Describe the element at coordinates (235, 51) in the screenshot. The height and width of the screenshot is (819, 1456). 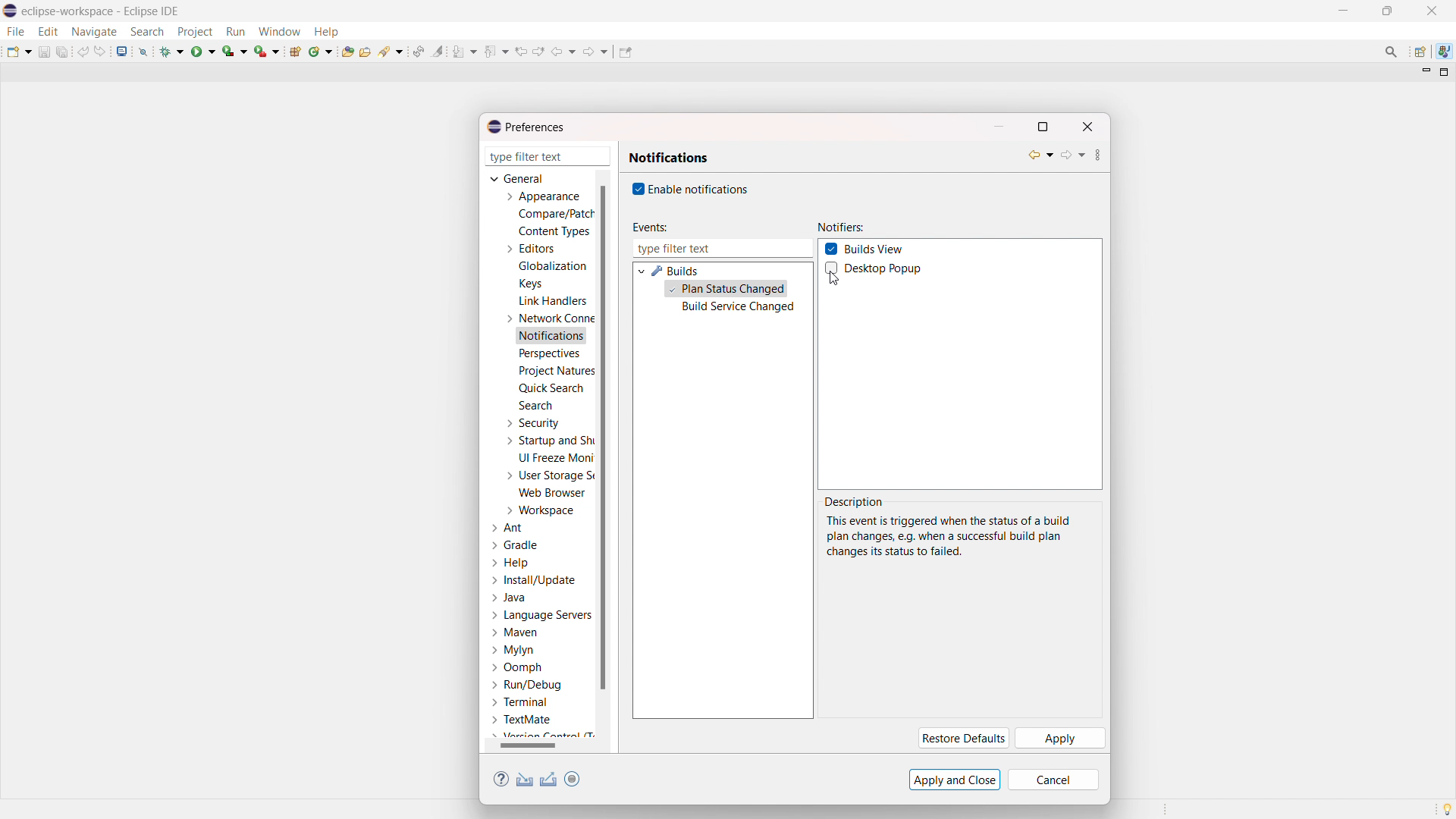
I see `coverage` at that location.